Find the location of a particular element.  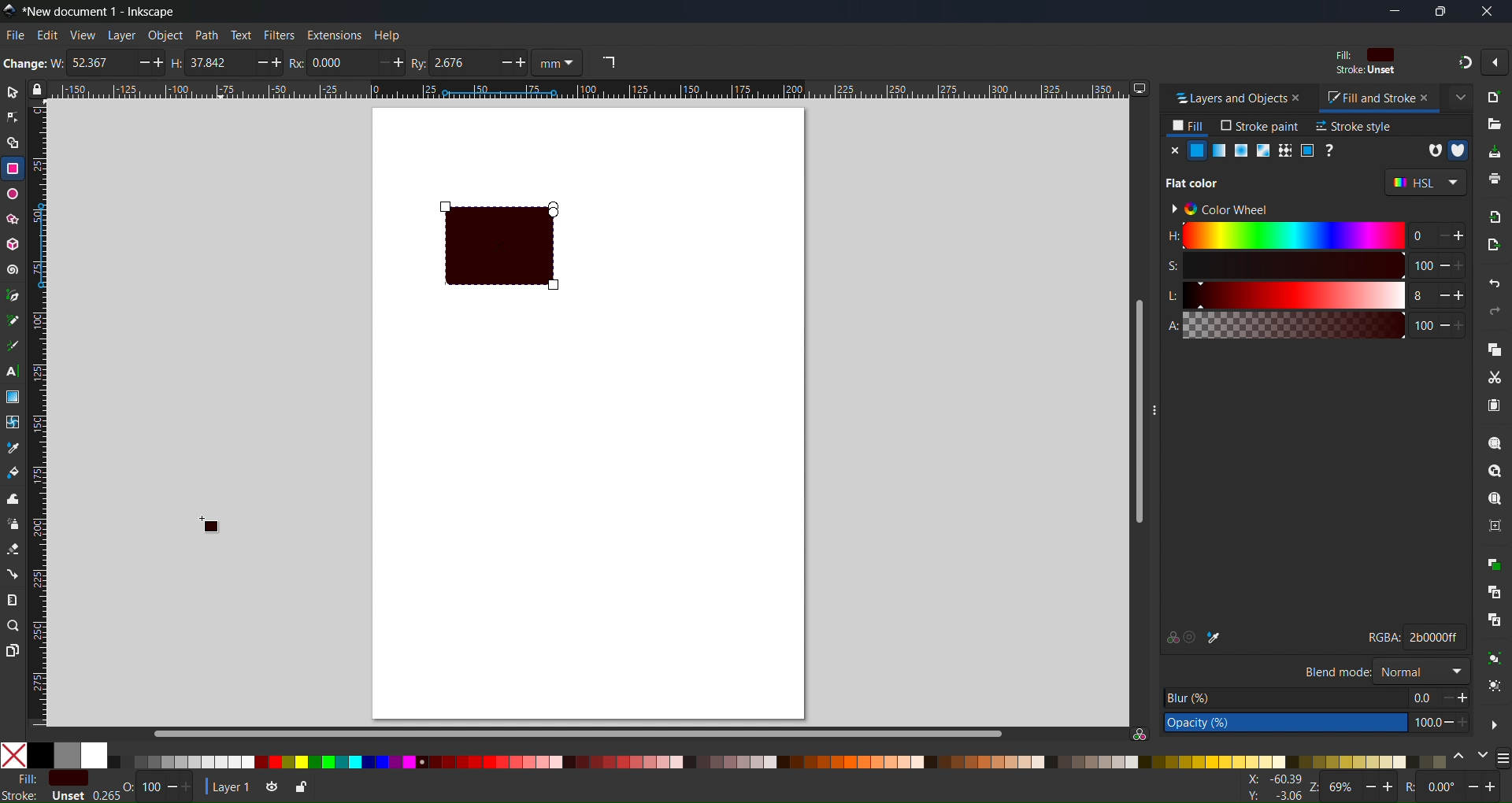

Current layer is located at coordinates (228, 786).